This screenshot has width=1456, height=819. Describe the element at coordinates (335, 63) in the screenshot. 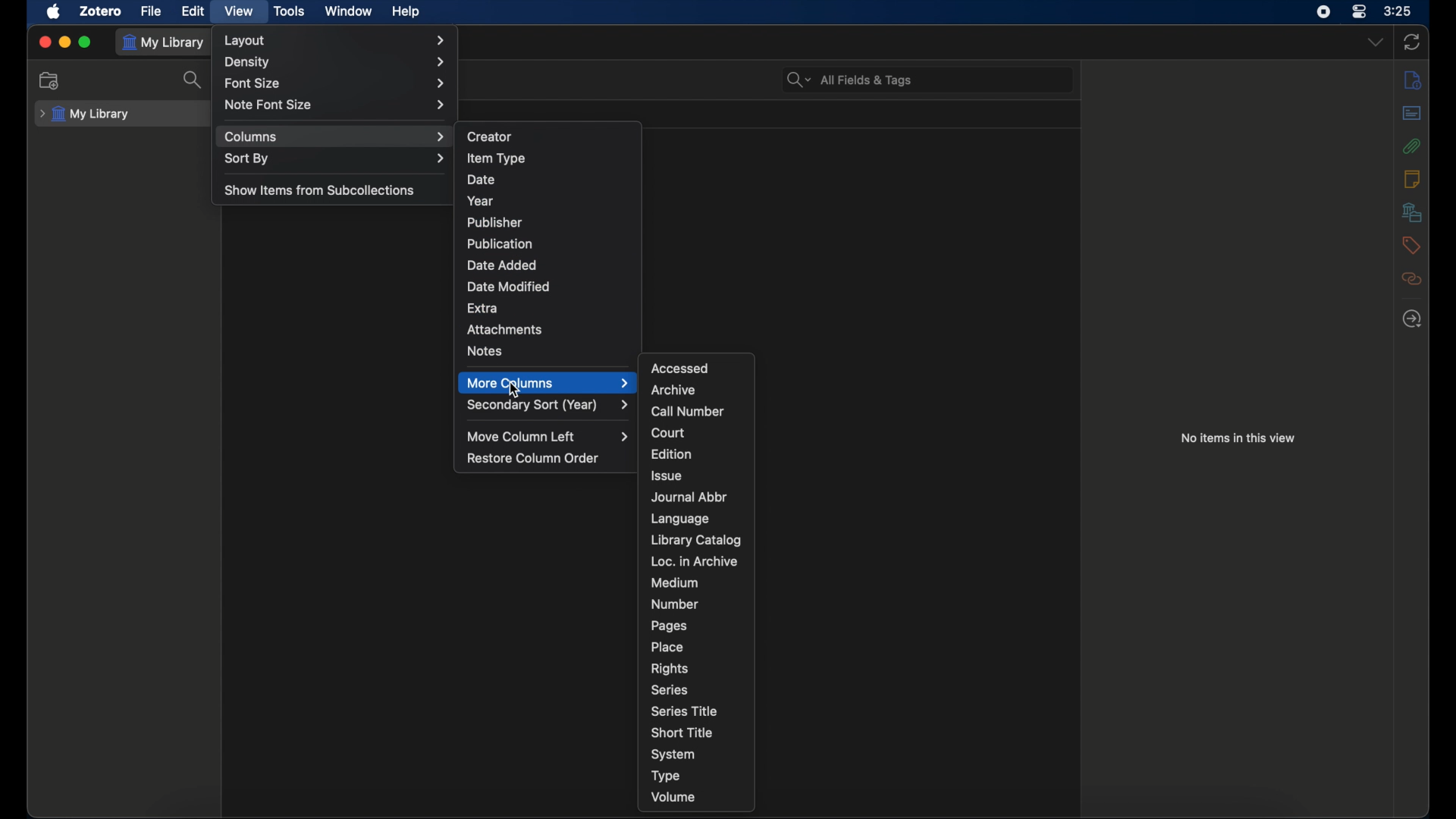

I see `density` at that location.